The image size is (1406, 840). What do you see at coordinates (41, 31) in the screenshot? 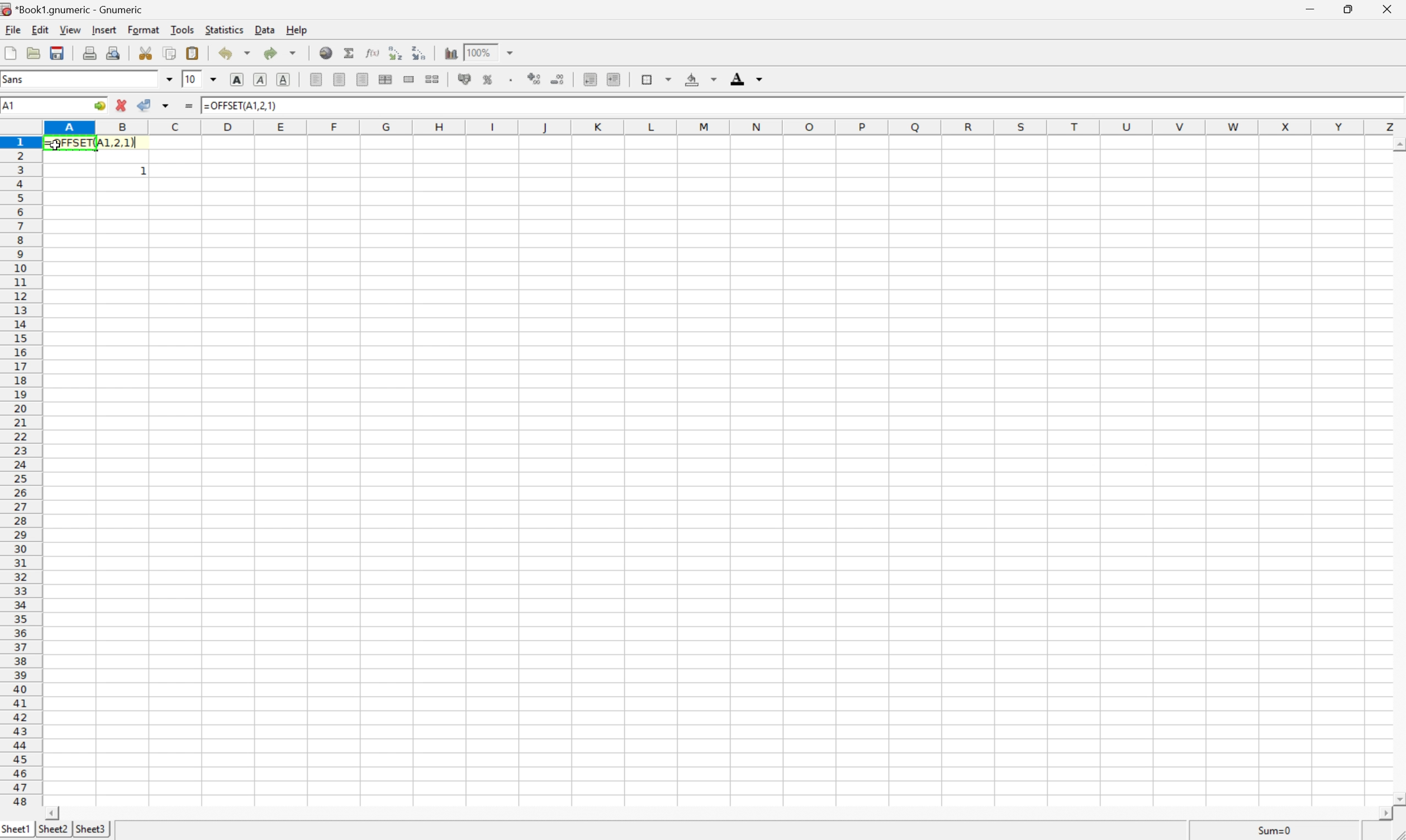
I see `edit` at bounding box center [41, 31].